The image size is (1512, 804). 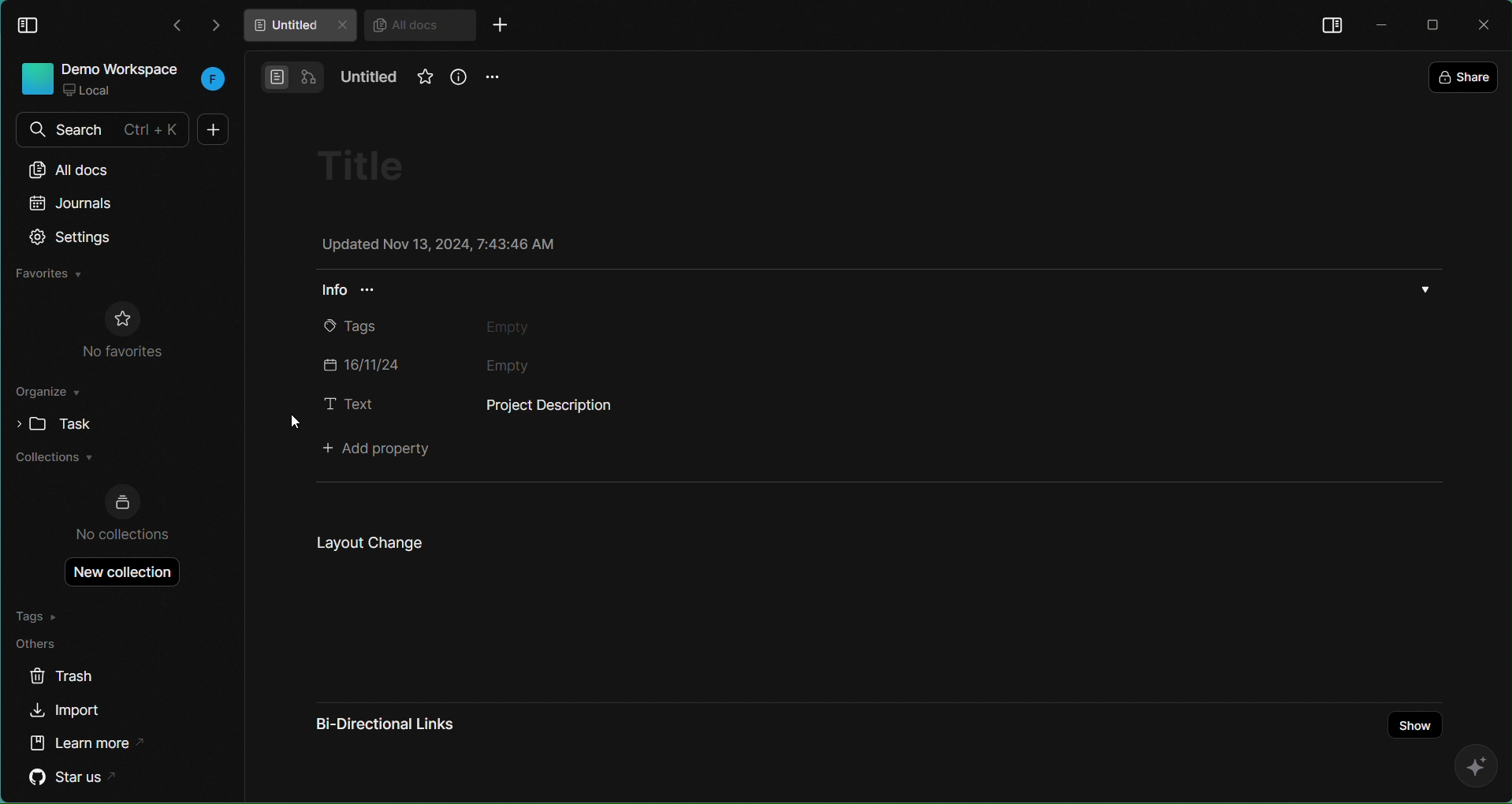 What do you see at coordinates (1436, 24) in the screenshot?
I see `maximize` at bounding box center [1436, 24].